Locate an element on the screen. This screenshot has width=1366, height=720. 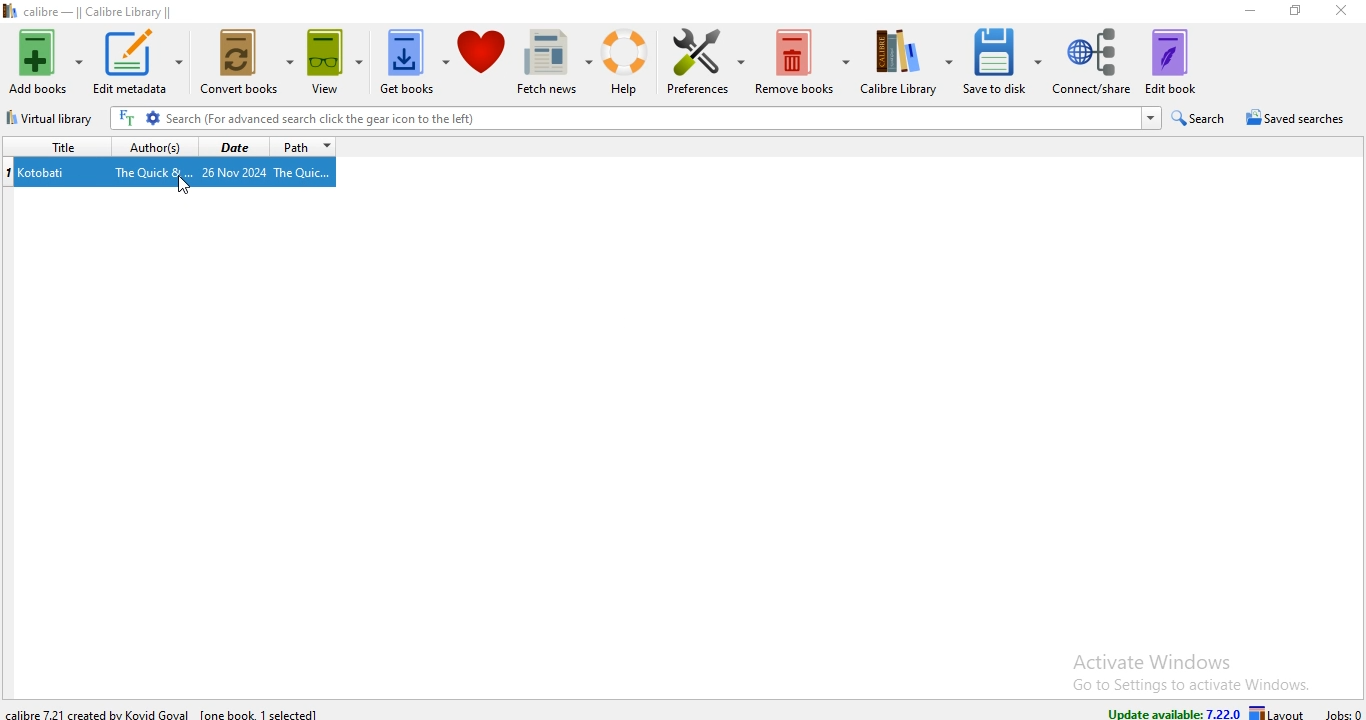
update available: 7.22.0 is located at coordinates (1172, 710).